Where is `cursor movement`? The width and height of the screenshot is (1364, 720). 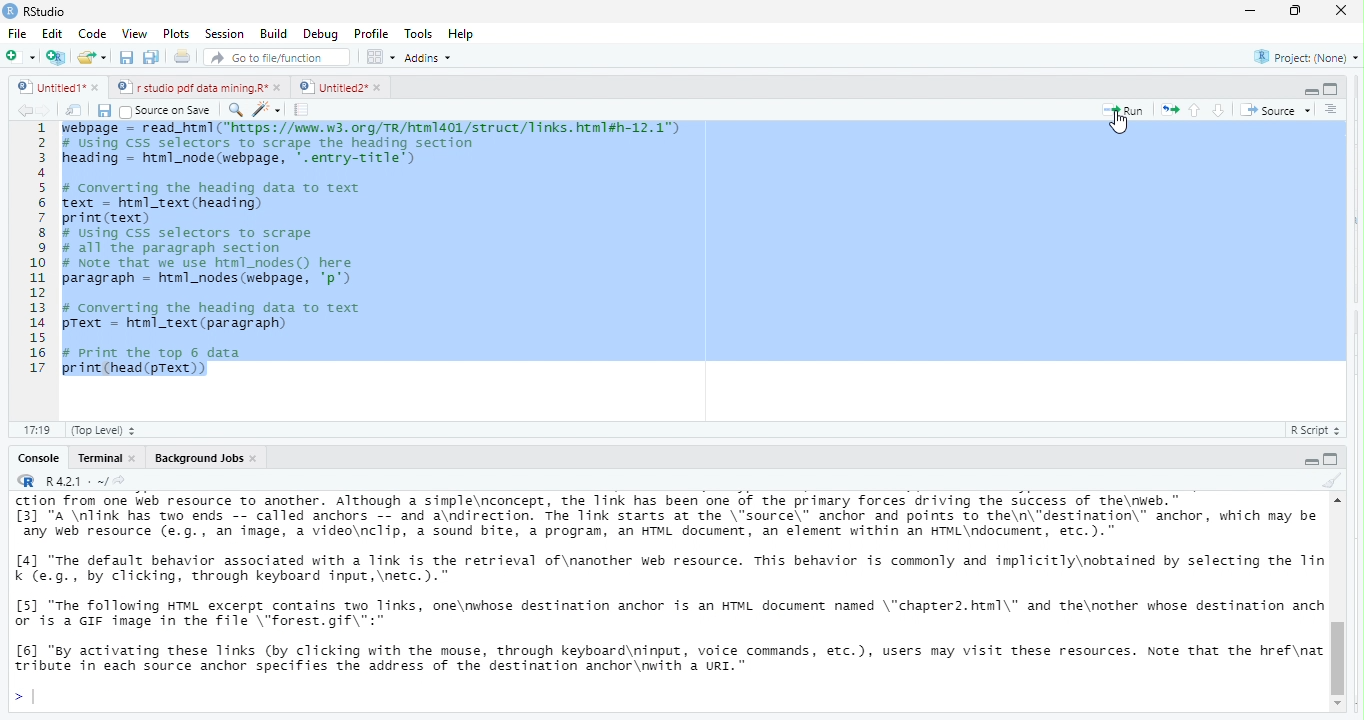 cursor movement is located at coordinates (1120, 123).